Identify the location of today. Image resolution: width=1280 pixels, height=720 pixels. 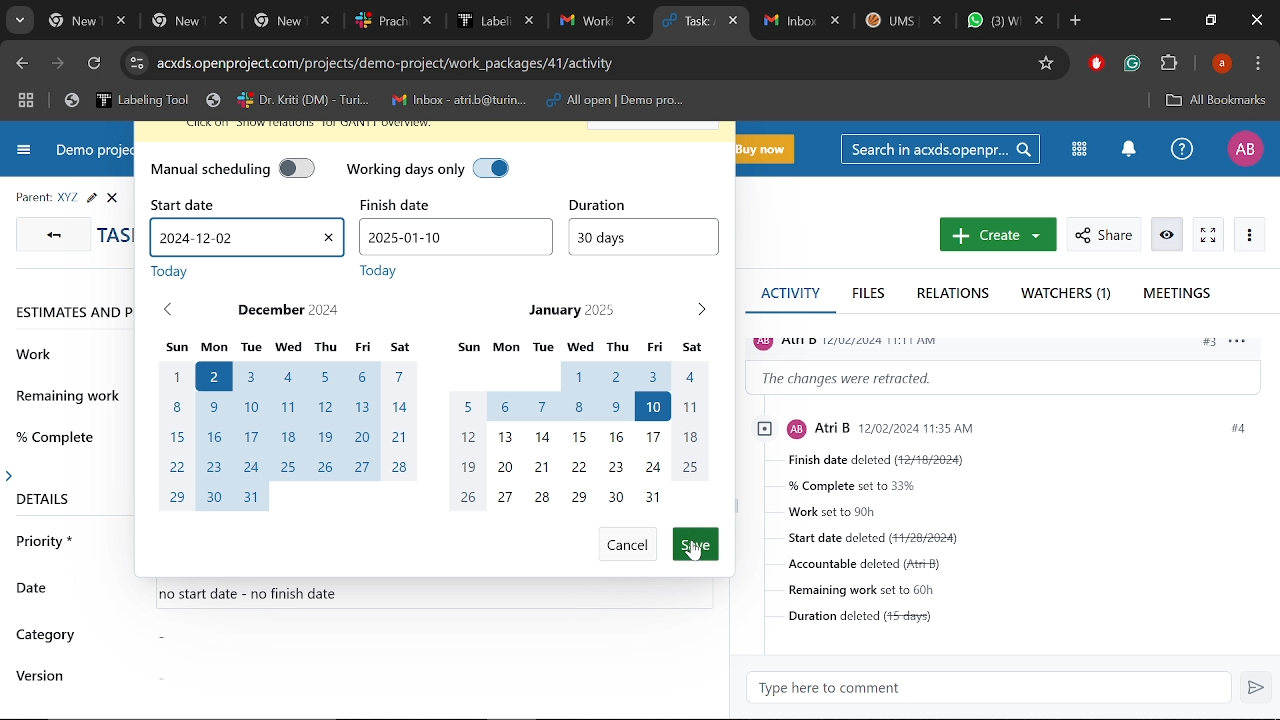
(176, 271).